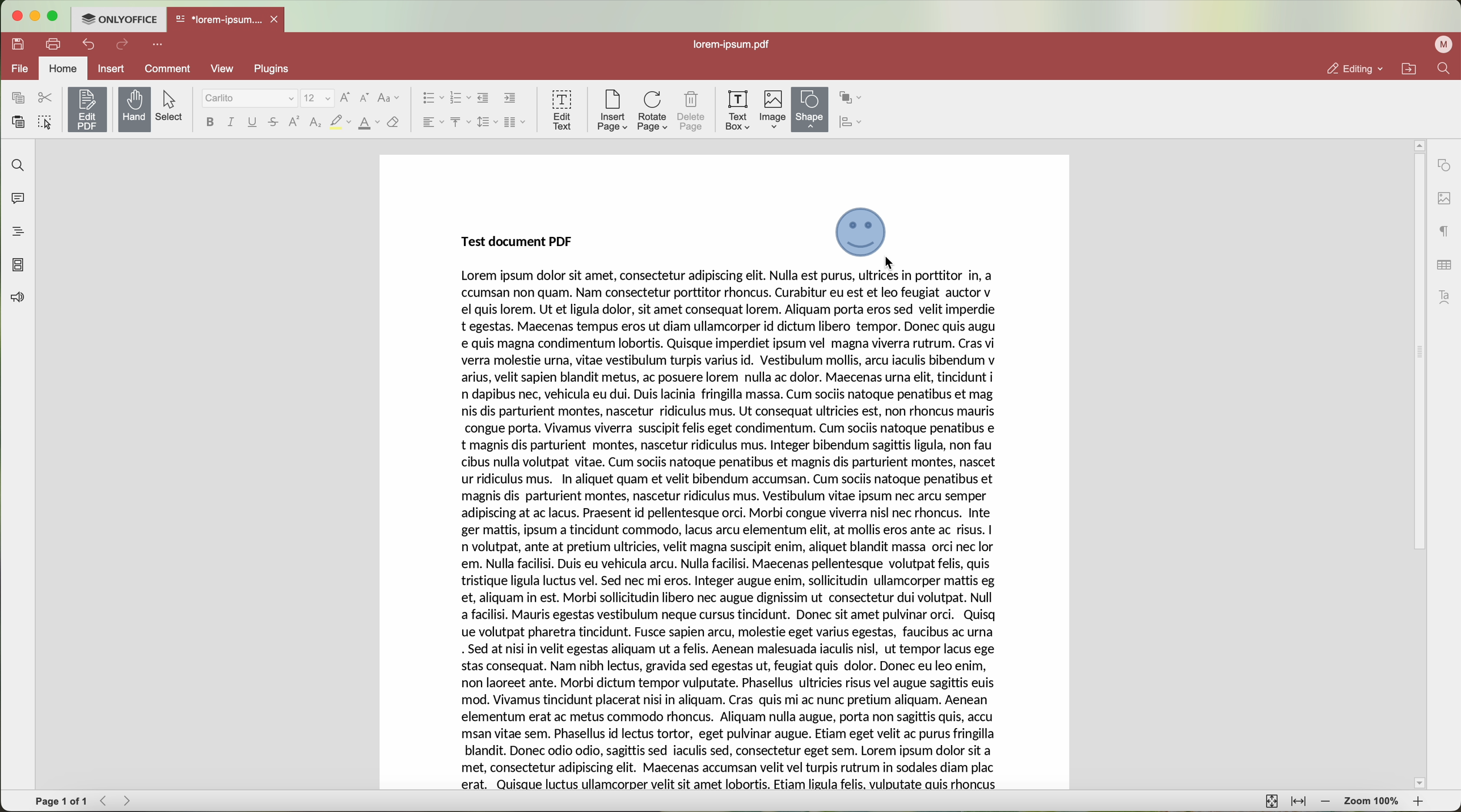 The height and width of the screenshot is (812, 1461). What do you see at coordinates (222, 67) in the screenshot?
I see `view` at bounding box center [222, 67].